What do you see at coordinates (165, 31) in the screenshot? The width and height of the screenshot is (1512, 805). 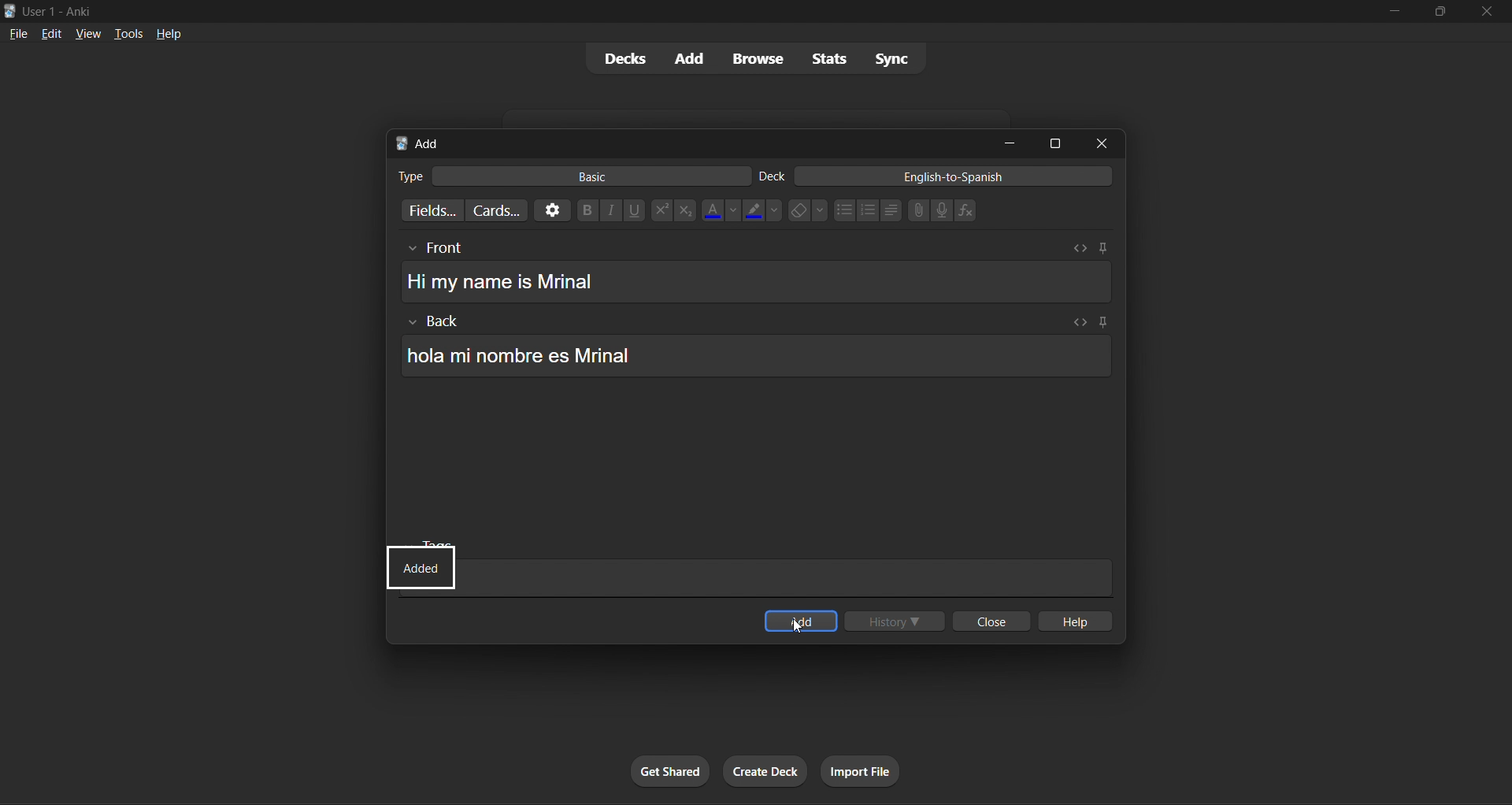 I see `help` at bounding box center [165, 31].